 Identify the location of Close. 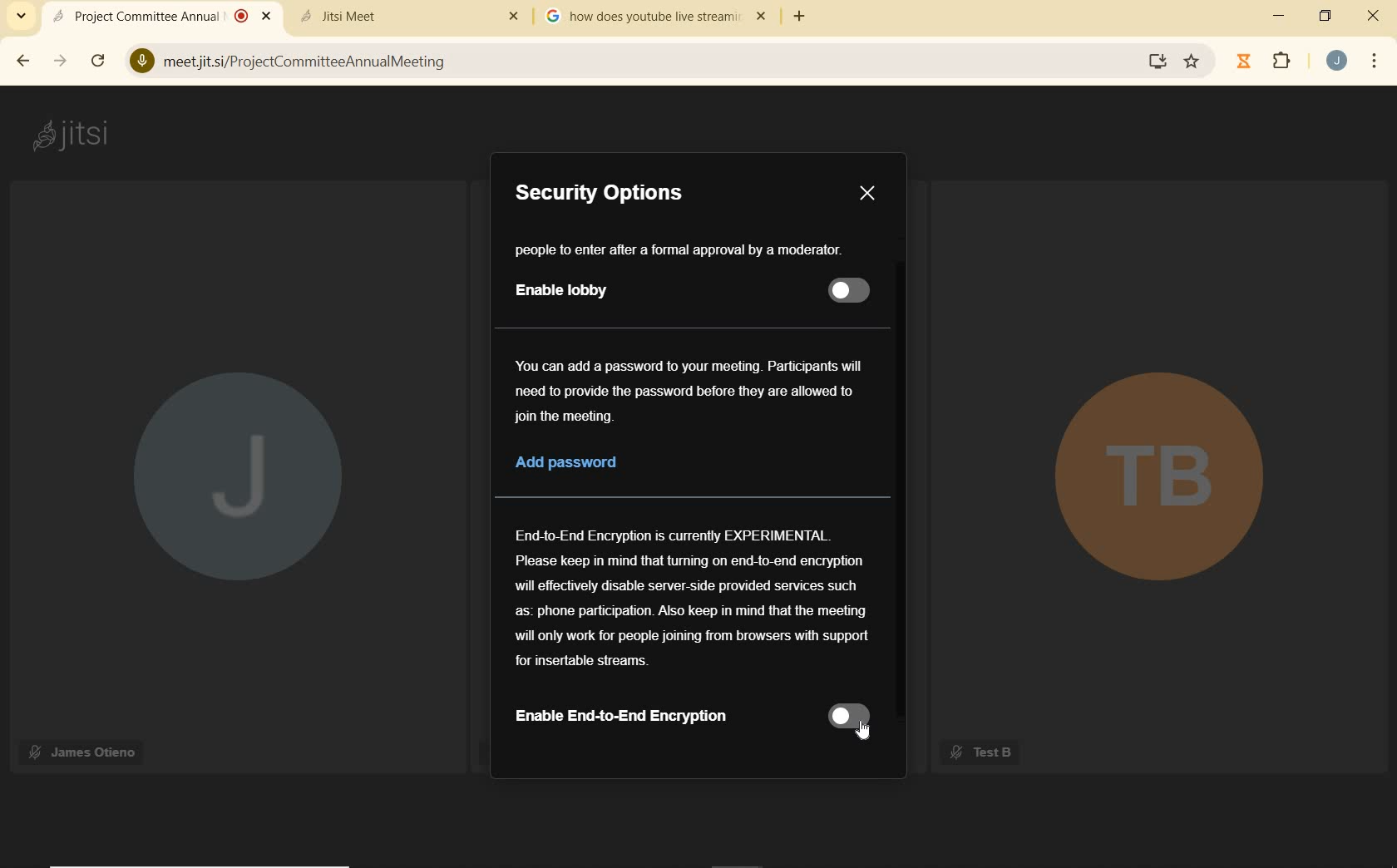
(868, 190).